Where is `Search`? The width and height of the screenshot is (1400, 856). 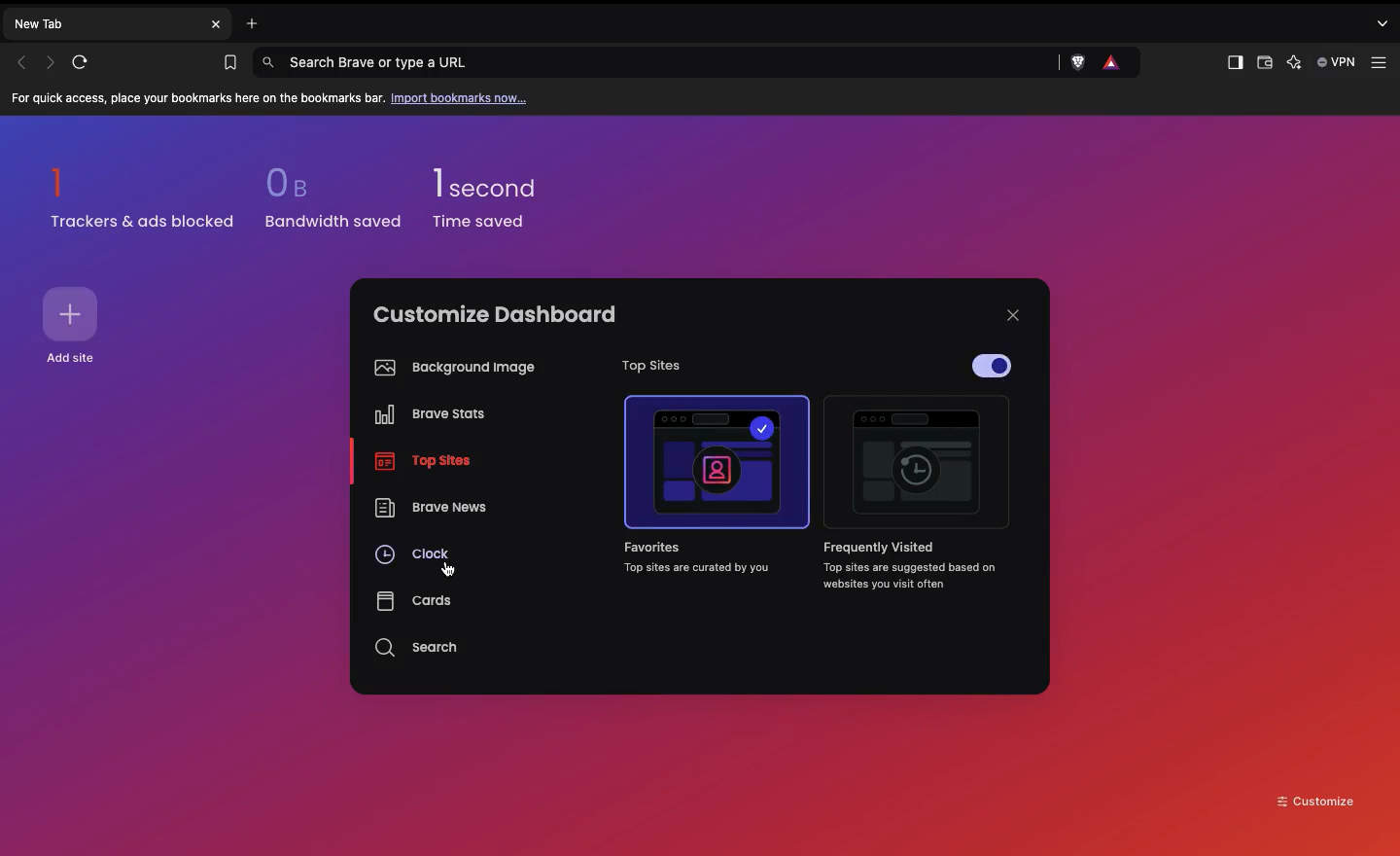
Search is located at coordinates (419, 648).